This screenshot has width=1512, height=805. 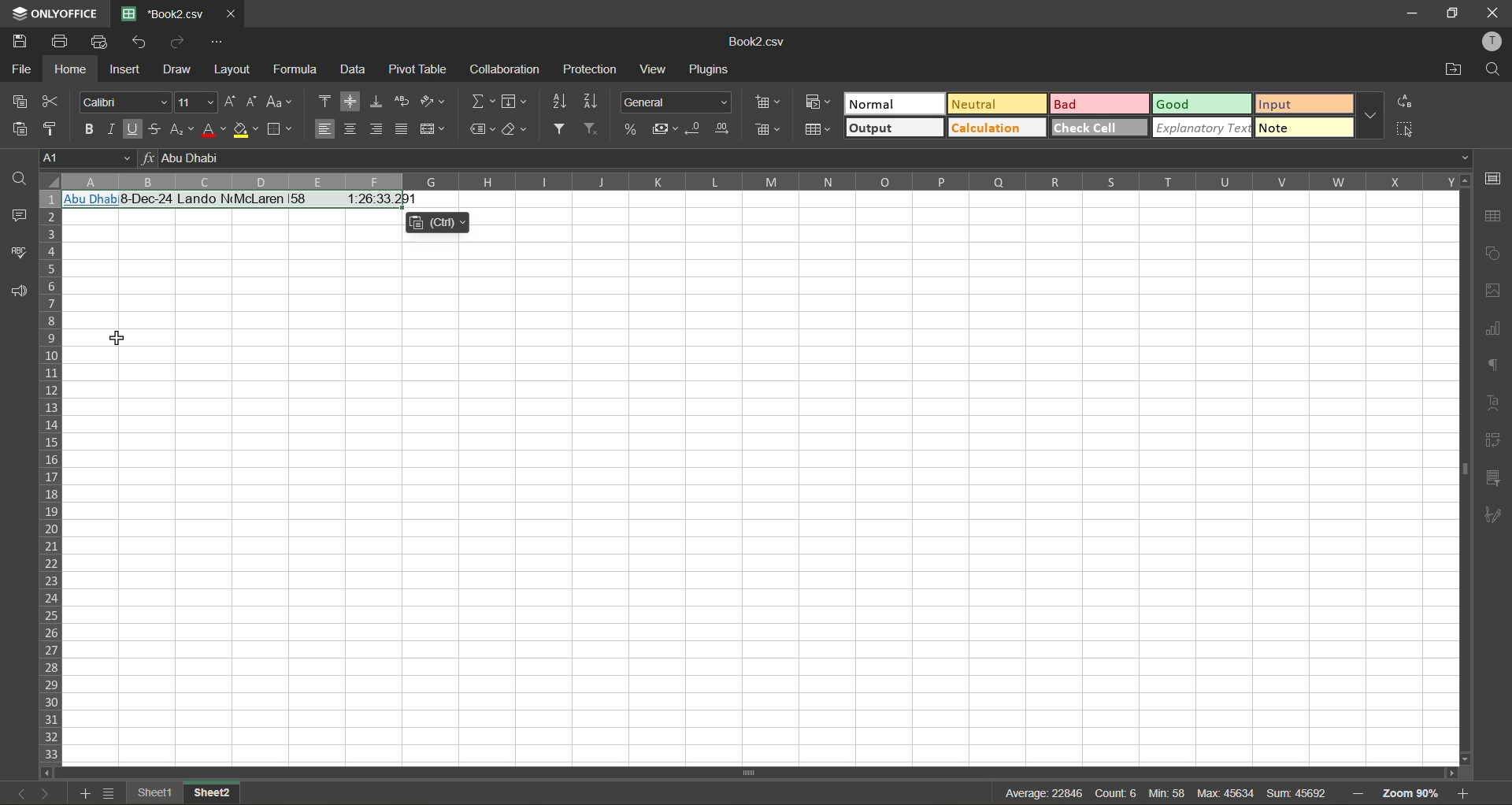 What do you see at coordinates (123, 102) in the screenshot?
I see `font style` at bounding box center [123, 102].